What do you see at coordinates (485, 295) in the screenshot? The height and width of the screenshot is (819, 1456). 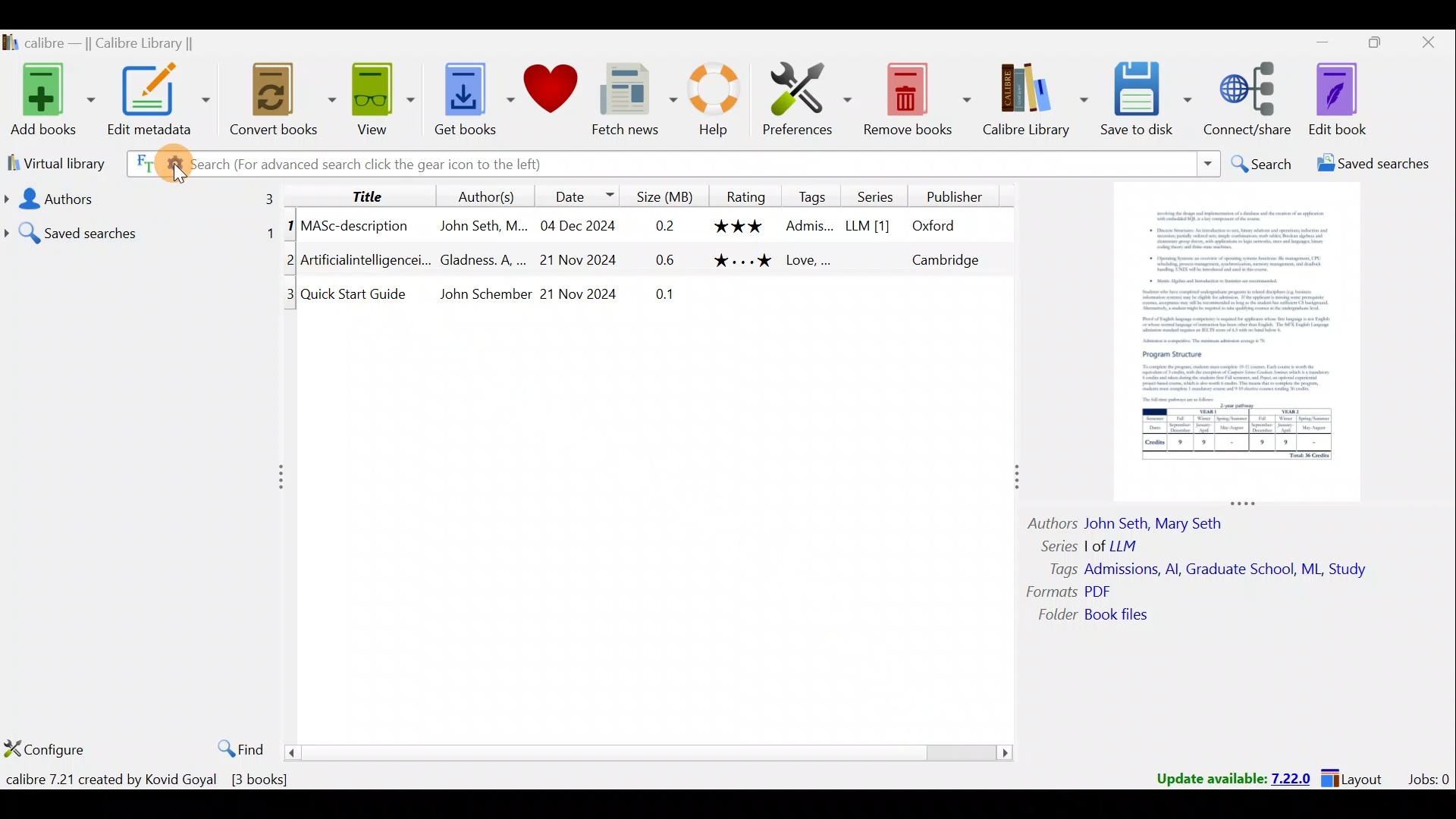 I see `John Schember` at bounding box center [485, 295].